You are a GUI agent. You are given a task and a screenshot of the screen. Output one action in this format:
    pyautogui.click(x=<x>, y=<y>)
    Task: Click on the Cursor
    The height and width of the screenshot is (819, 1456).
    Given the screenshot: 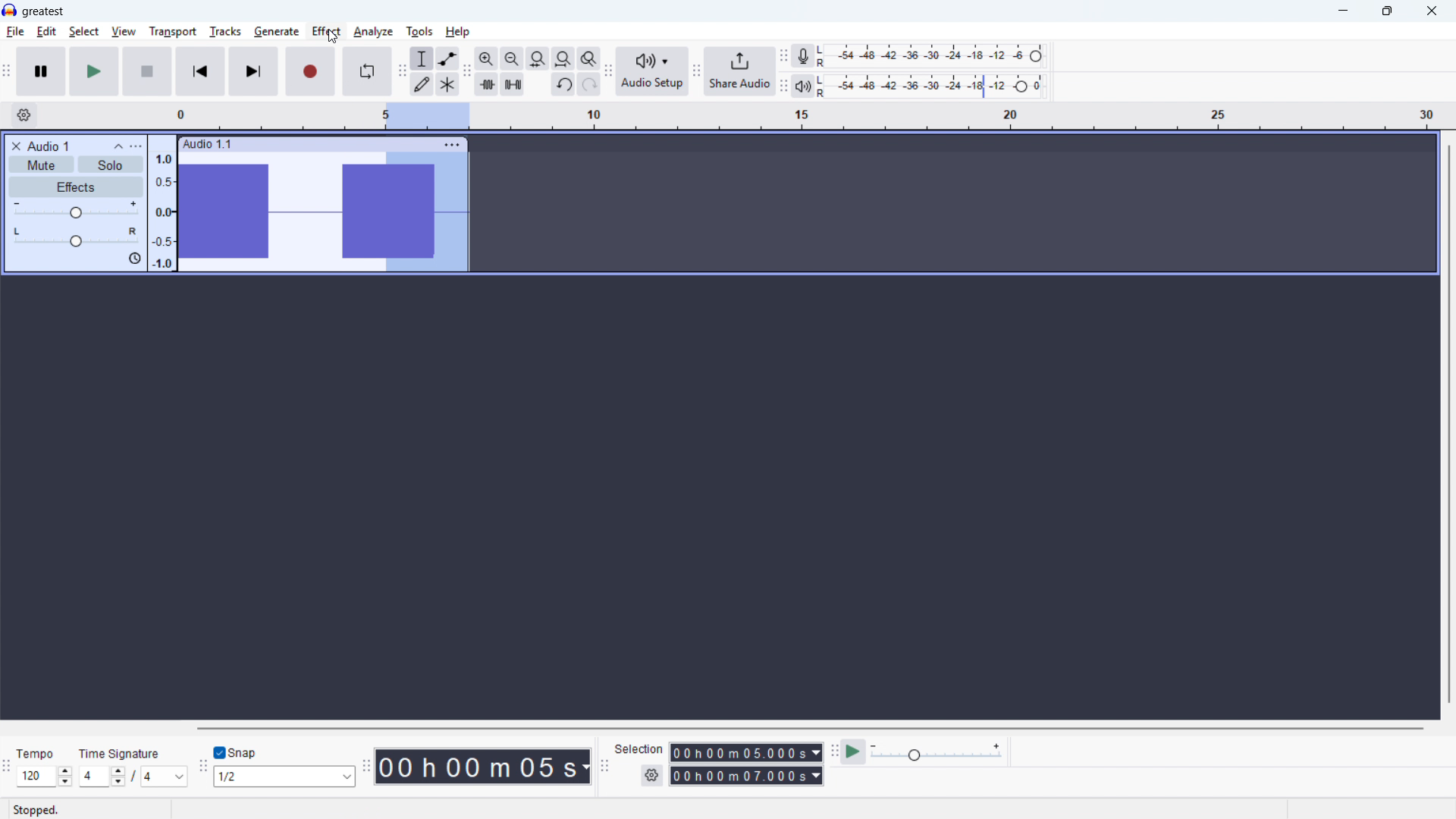 What is the action you would take?
    pyautogui.click(x=333, y=37)
    